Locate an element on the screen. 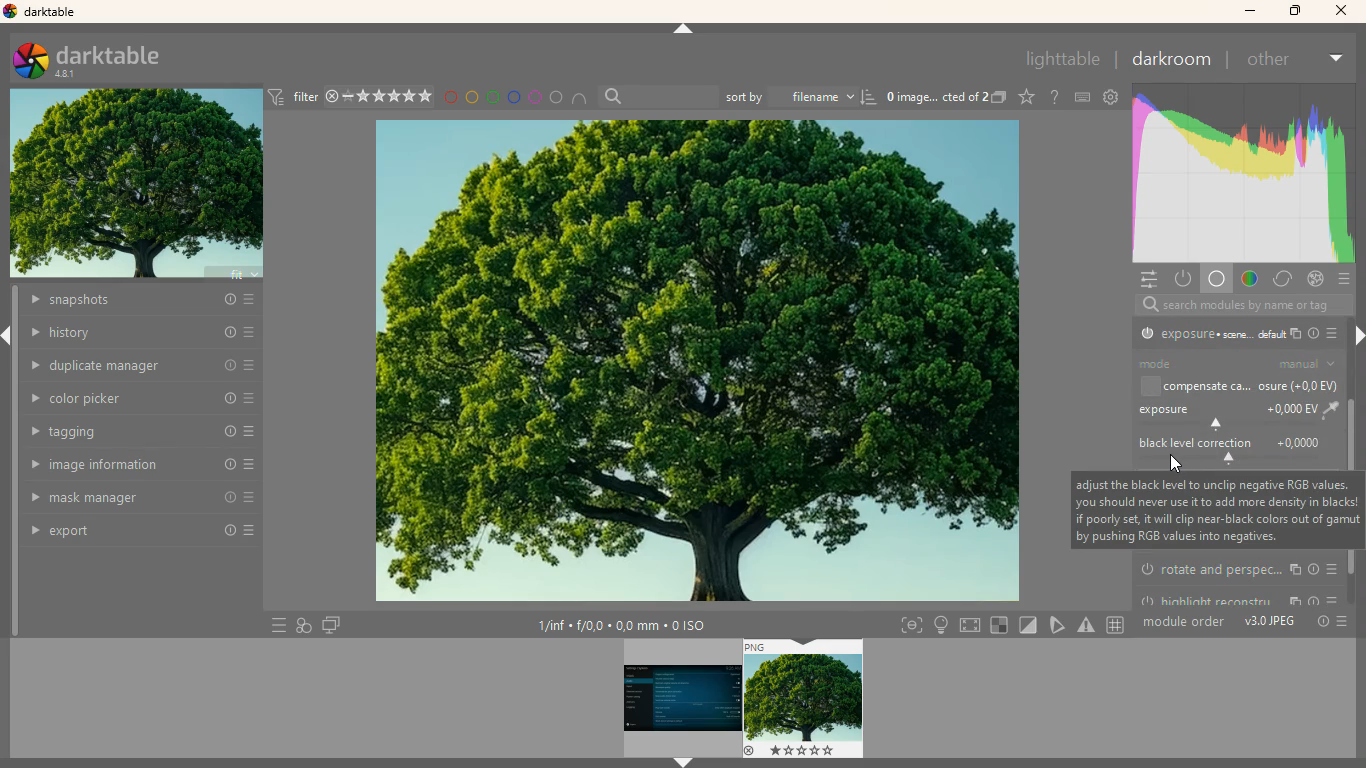 The width and height of the screenshot is (1366, 768). mode is located at coordinates (1178, 363).